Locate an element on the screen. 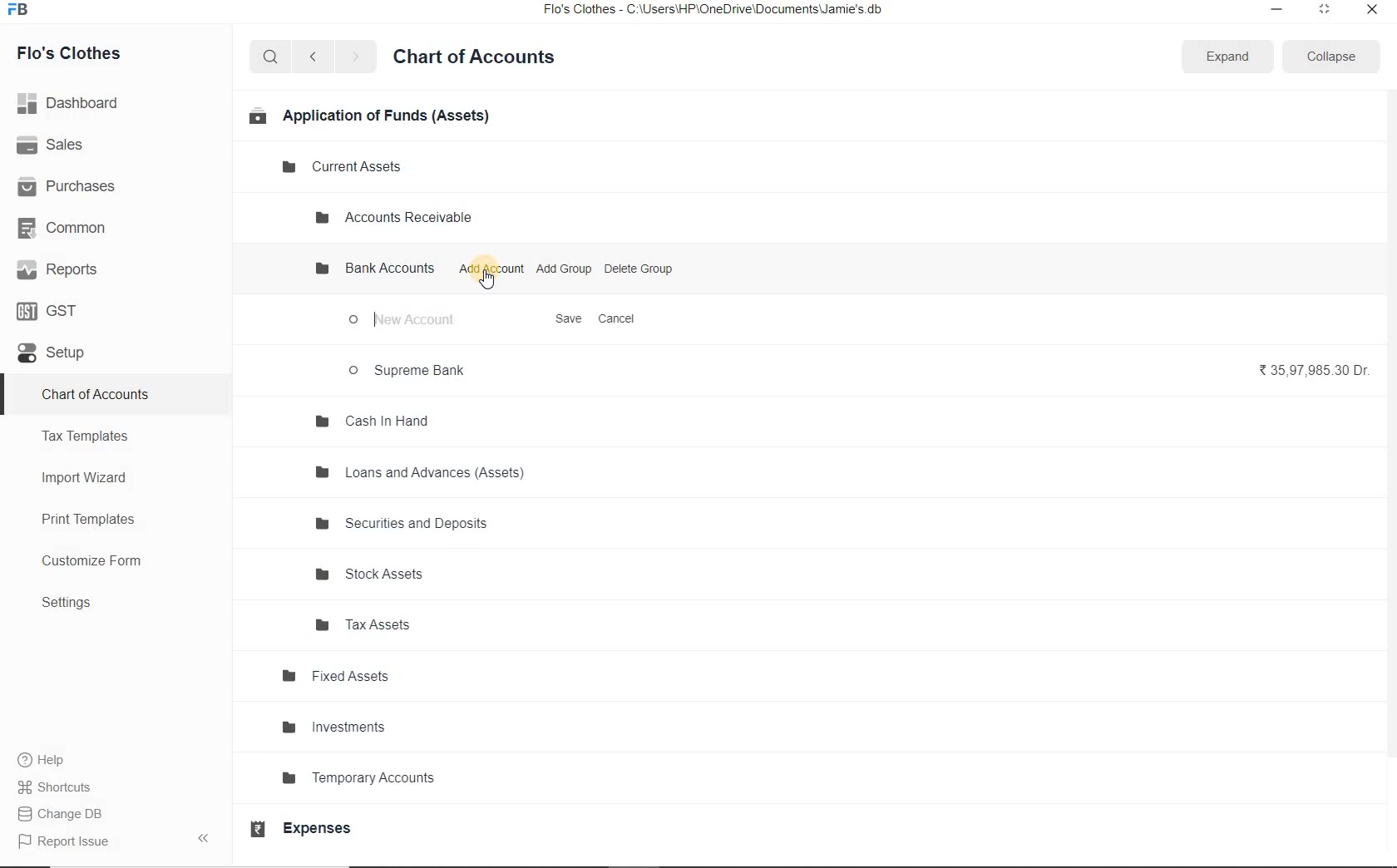 This screenshot has width=1397, height=868. search is located at coordinates (271, 57).